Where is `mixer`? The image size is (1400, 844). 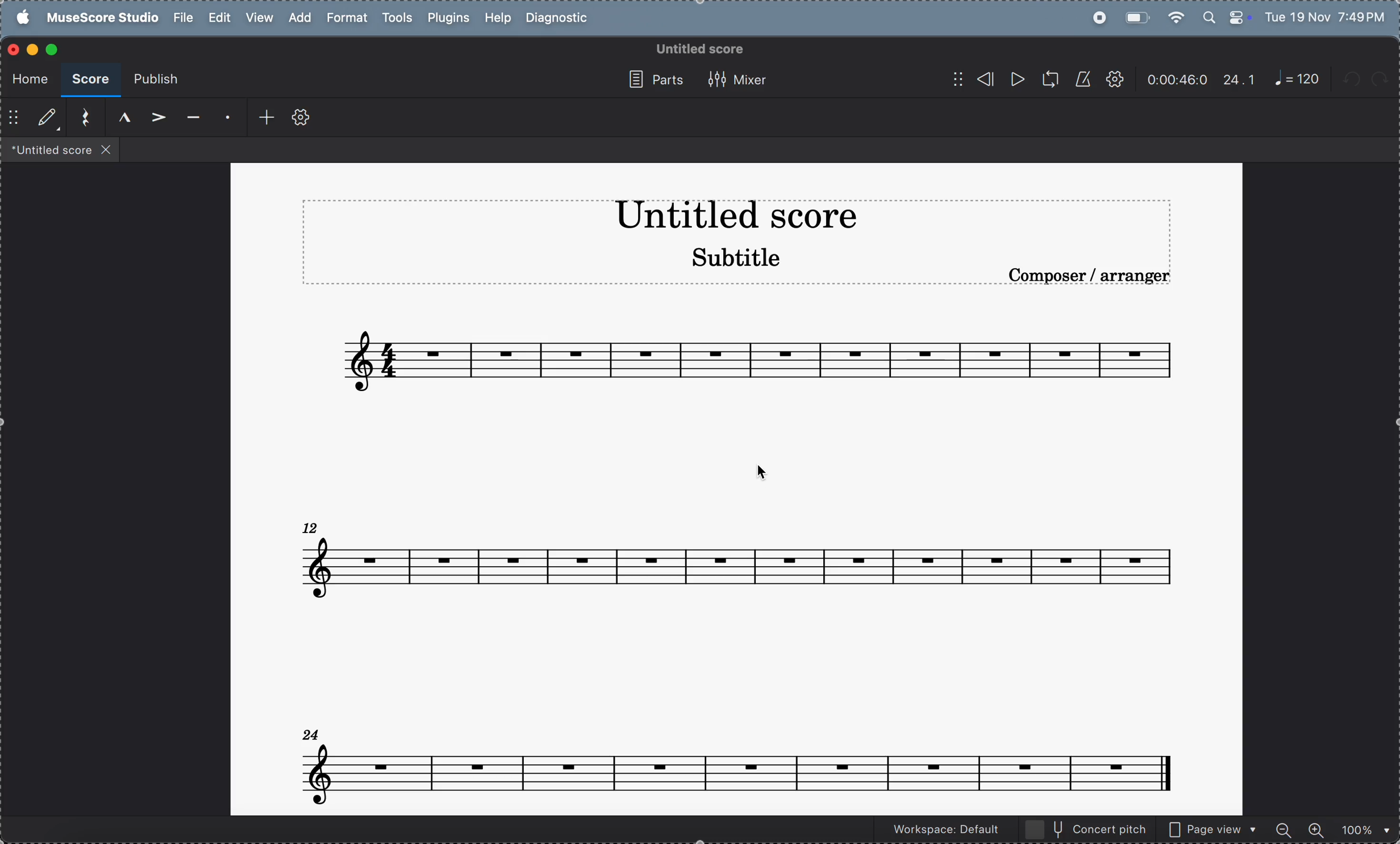 mixer is located at coordinates (741, 79).